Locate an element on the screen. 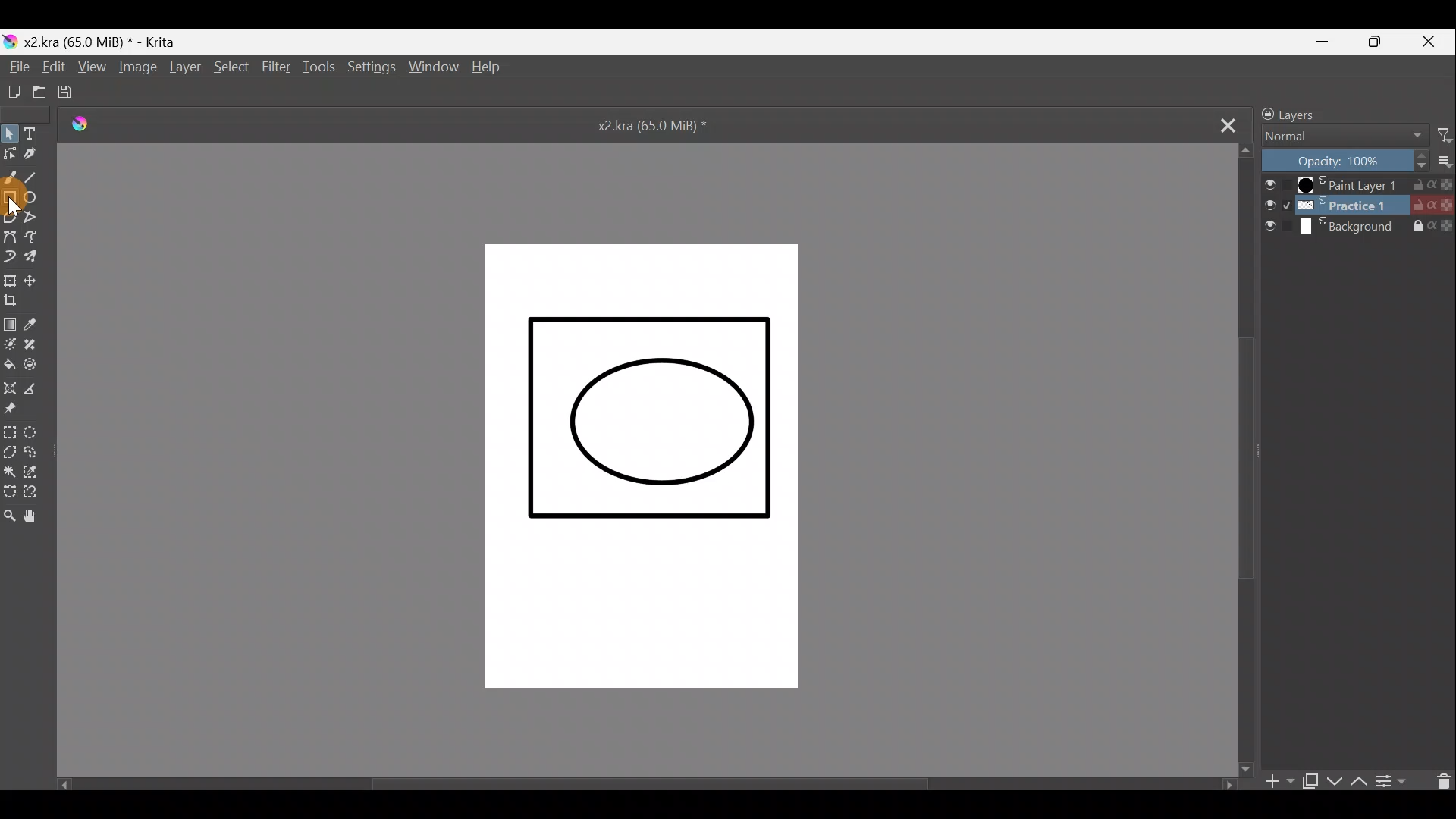  Freehand selection tool is located at coordinates (33, 453).